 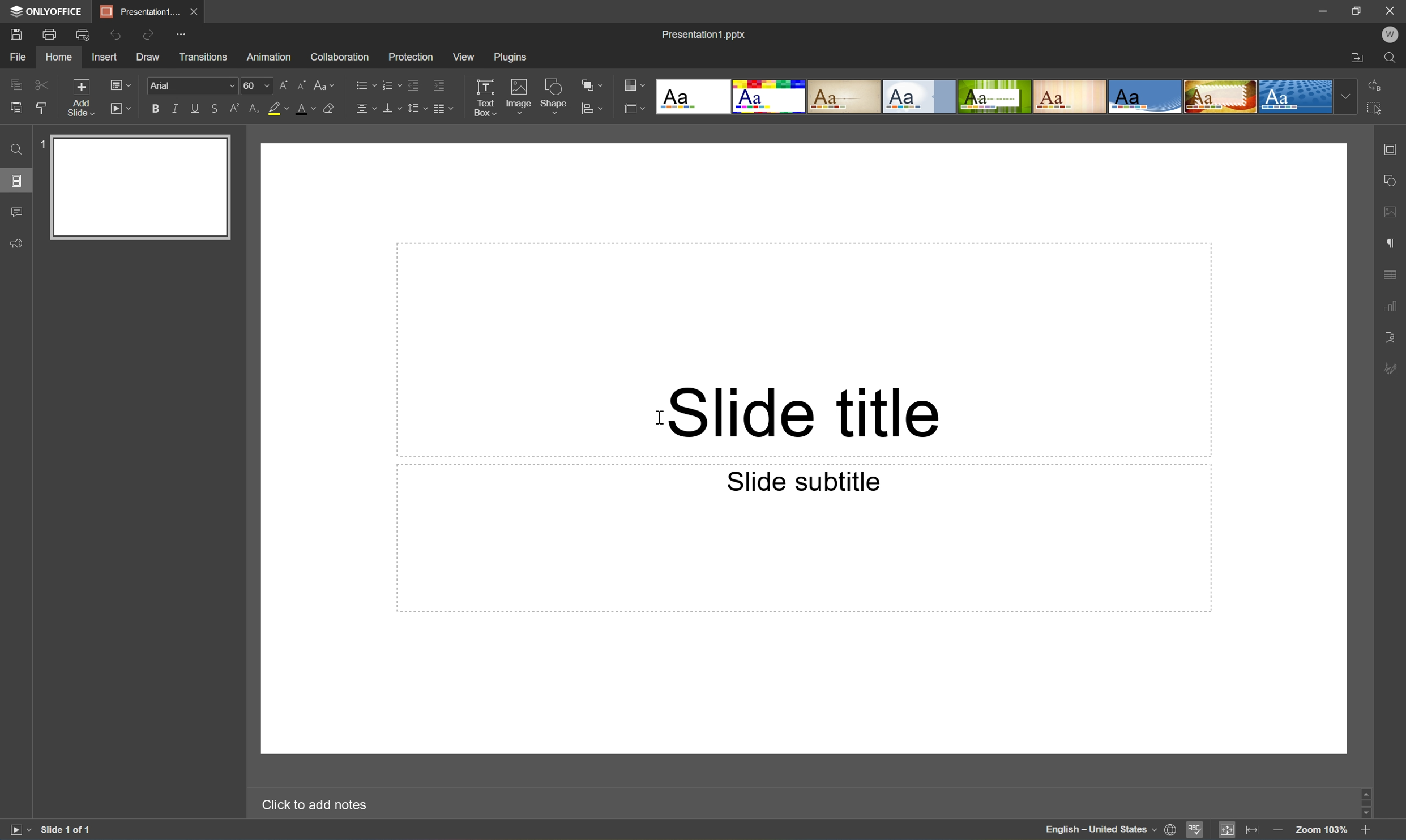 I want to click on Change color theme, so click(x=635, y=84).